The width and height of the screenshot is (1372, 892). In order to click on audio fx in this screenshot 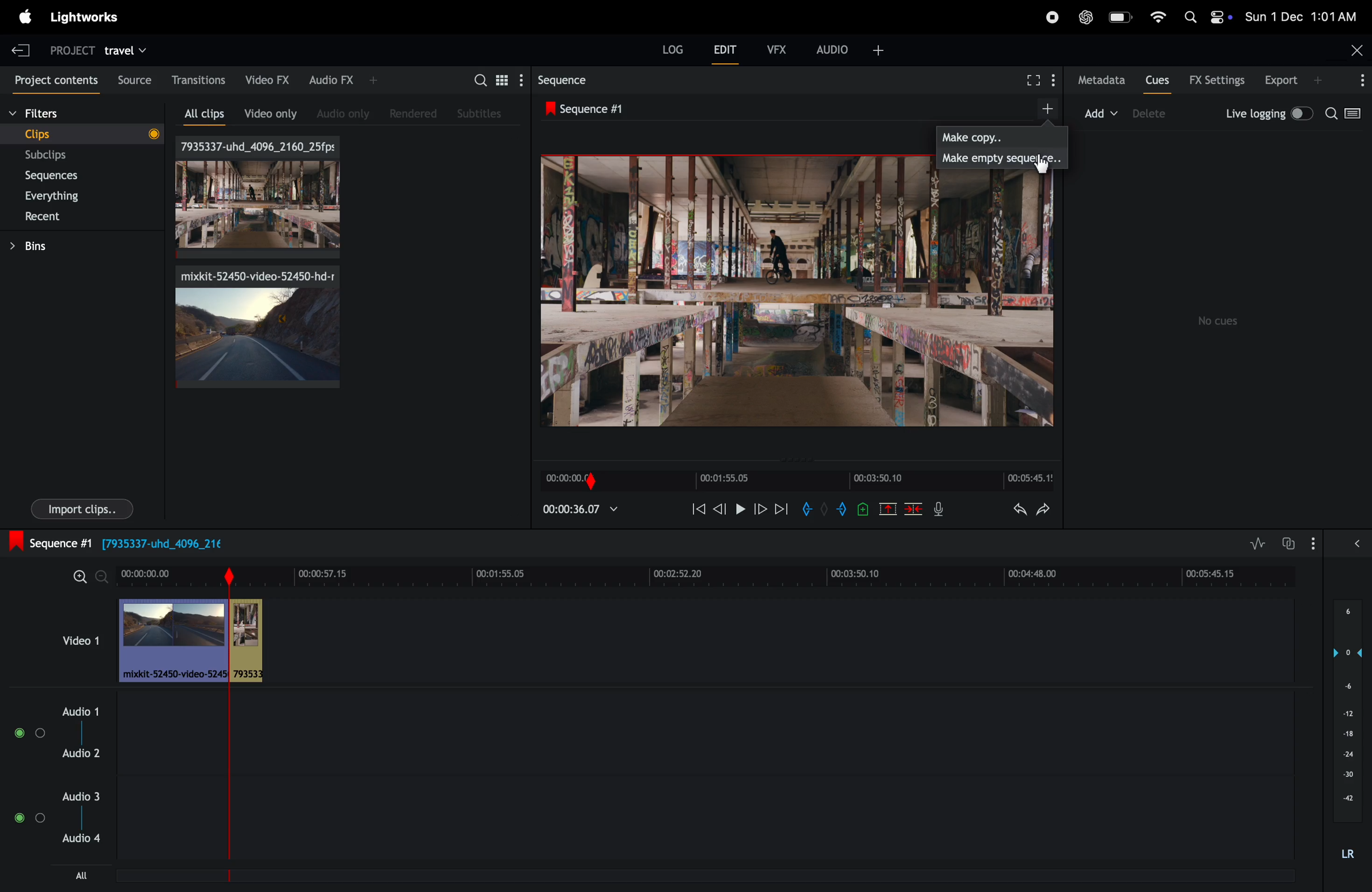, I will do `click(344, 81)`.